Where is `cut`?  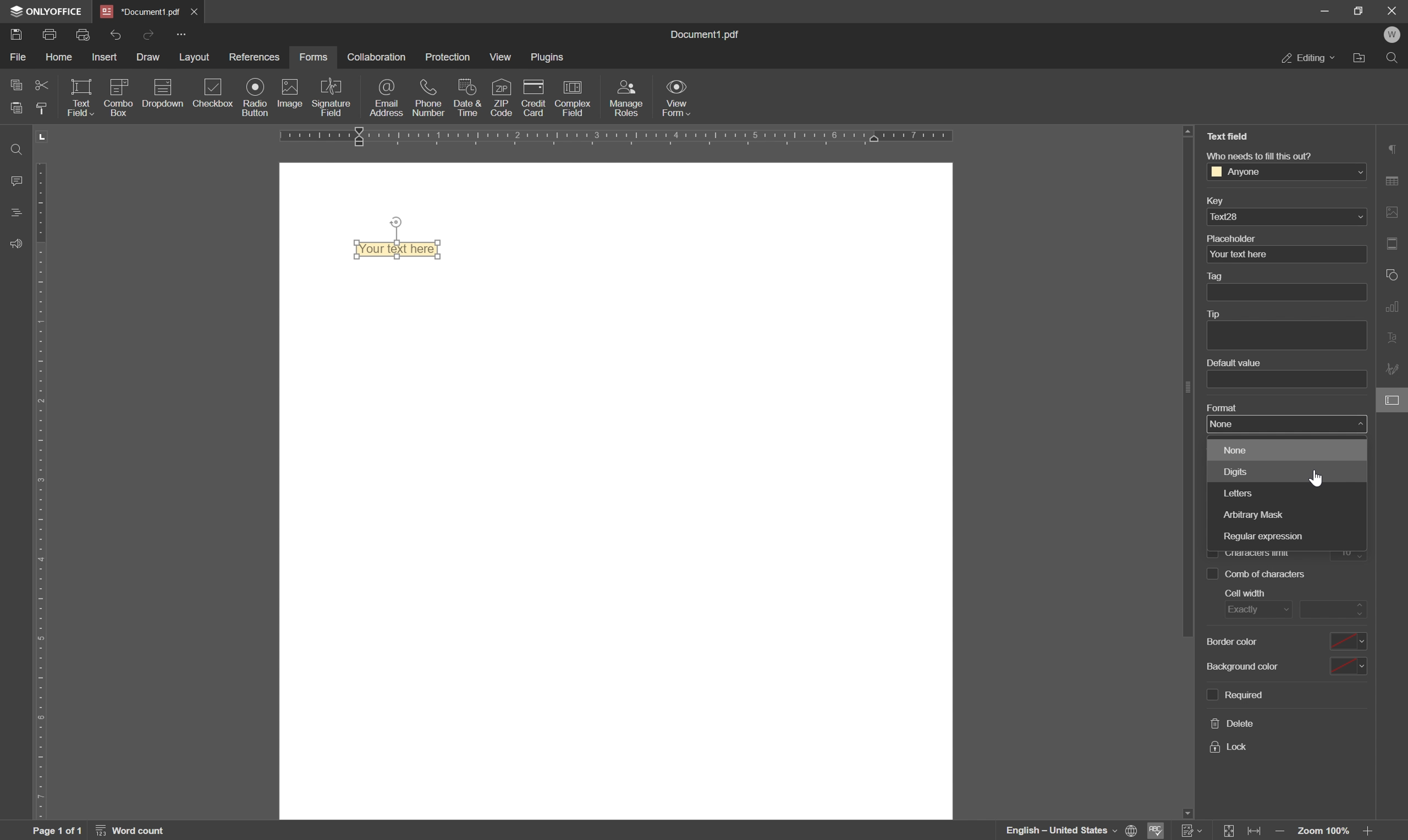 cut is located at coordinates (38, 86).